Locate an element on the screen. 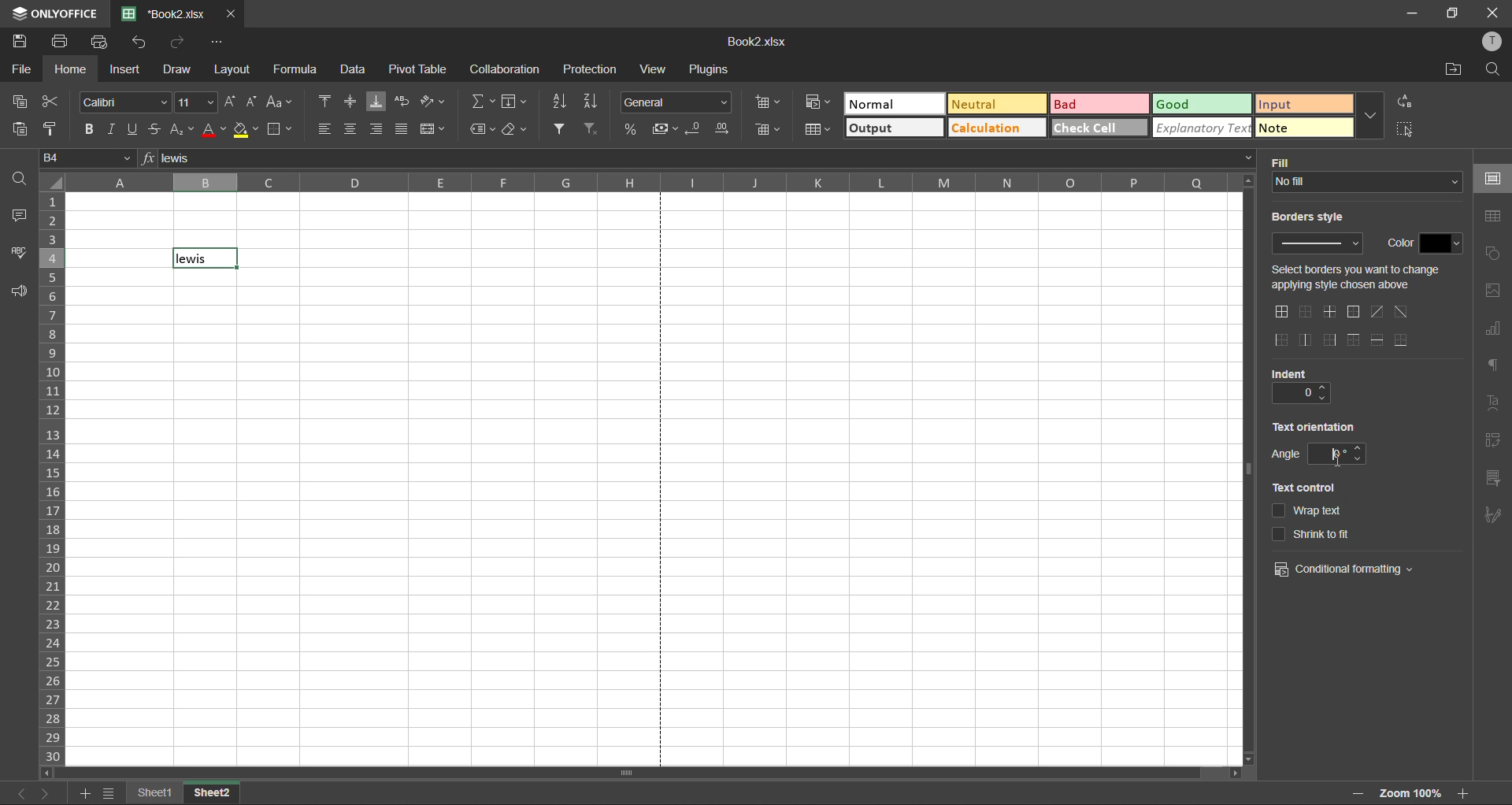 This screenshot has height=805, width=1512. maximize is located at coordinates (1454, 13).